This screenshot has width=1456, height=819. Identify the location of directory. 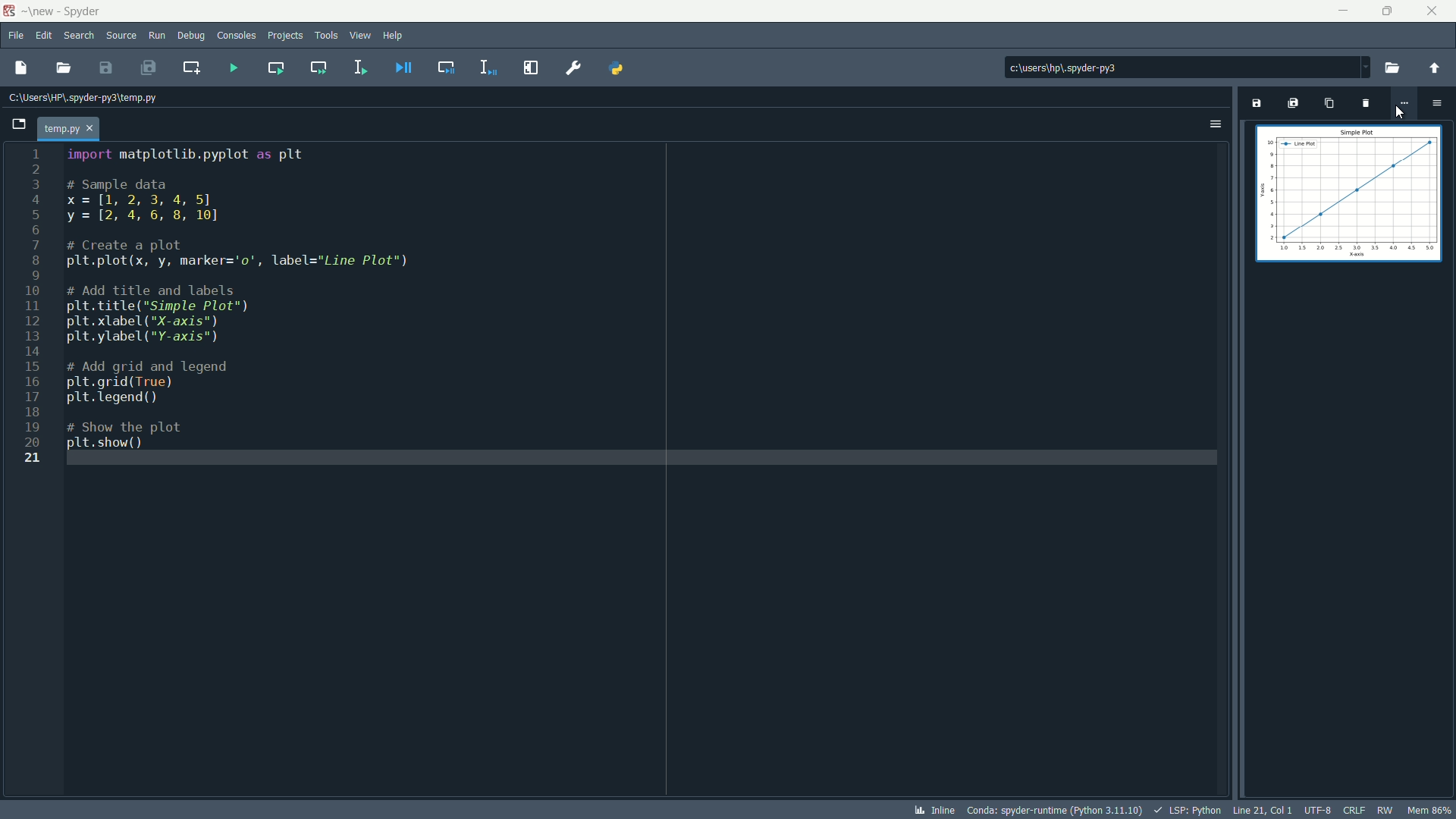
(1119, 67).